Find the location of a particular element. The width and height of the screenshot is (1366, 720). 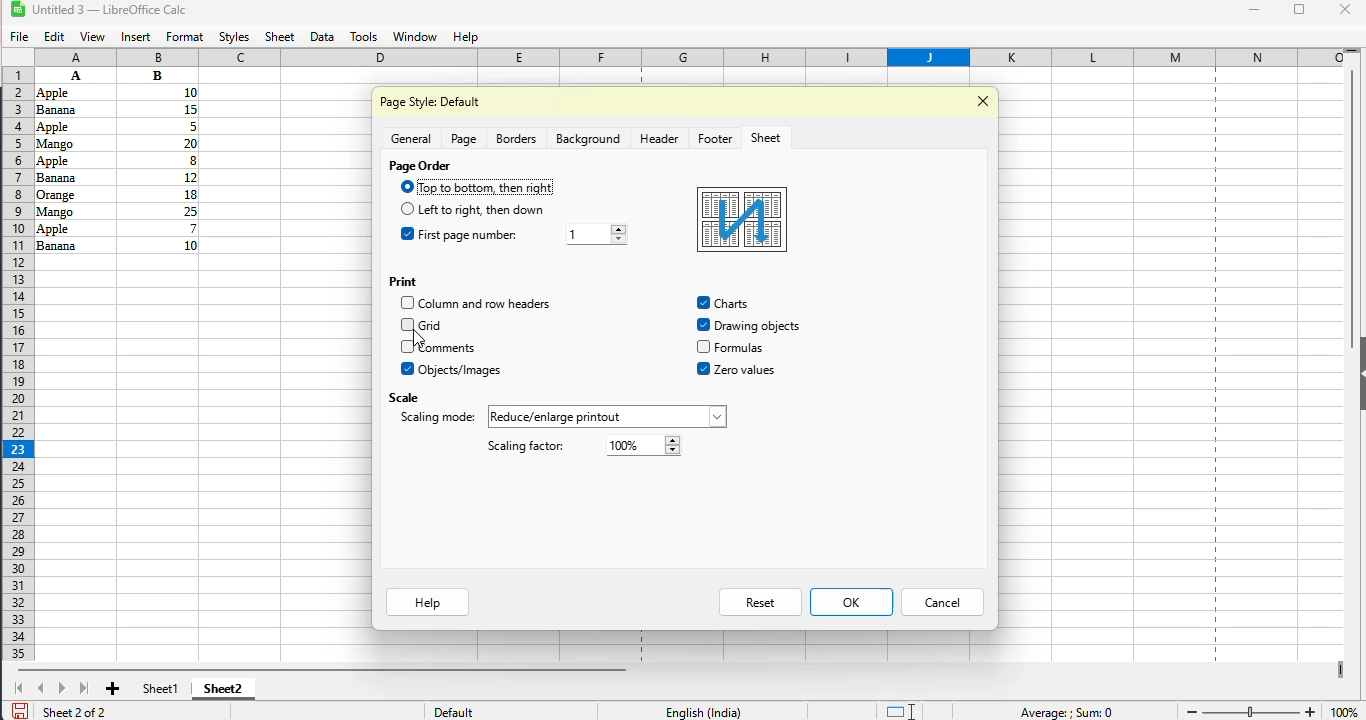

zero values is located at coordinates (704, 369).